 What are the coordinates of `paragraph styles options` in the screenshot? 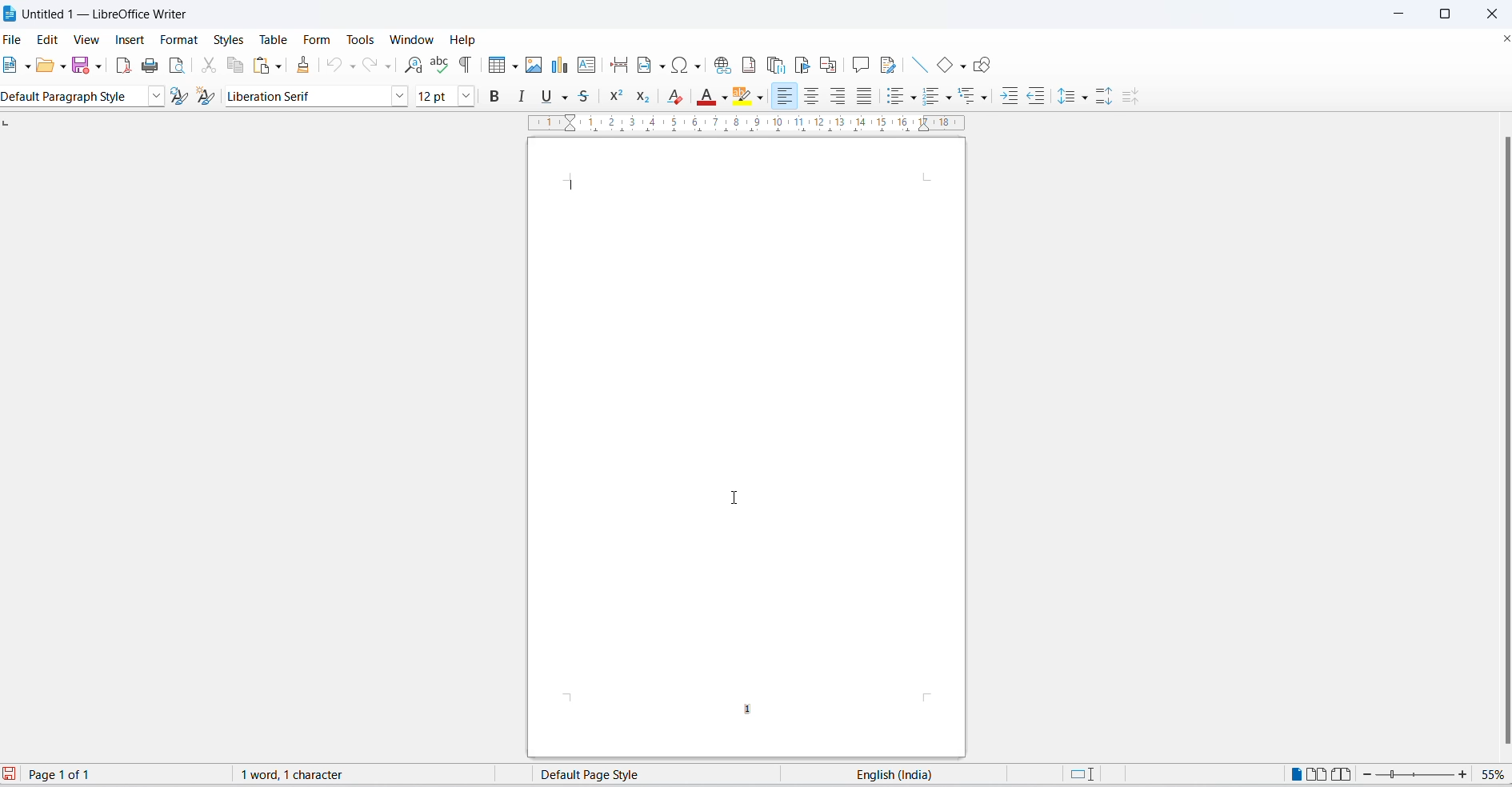 It's located at (157, 97).